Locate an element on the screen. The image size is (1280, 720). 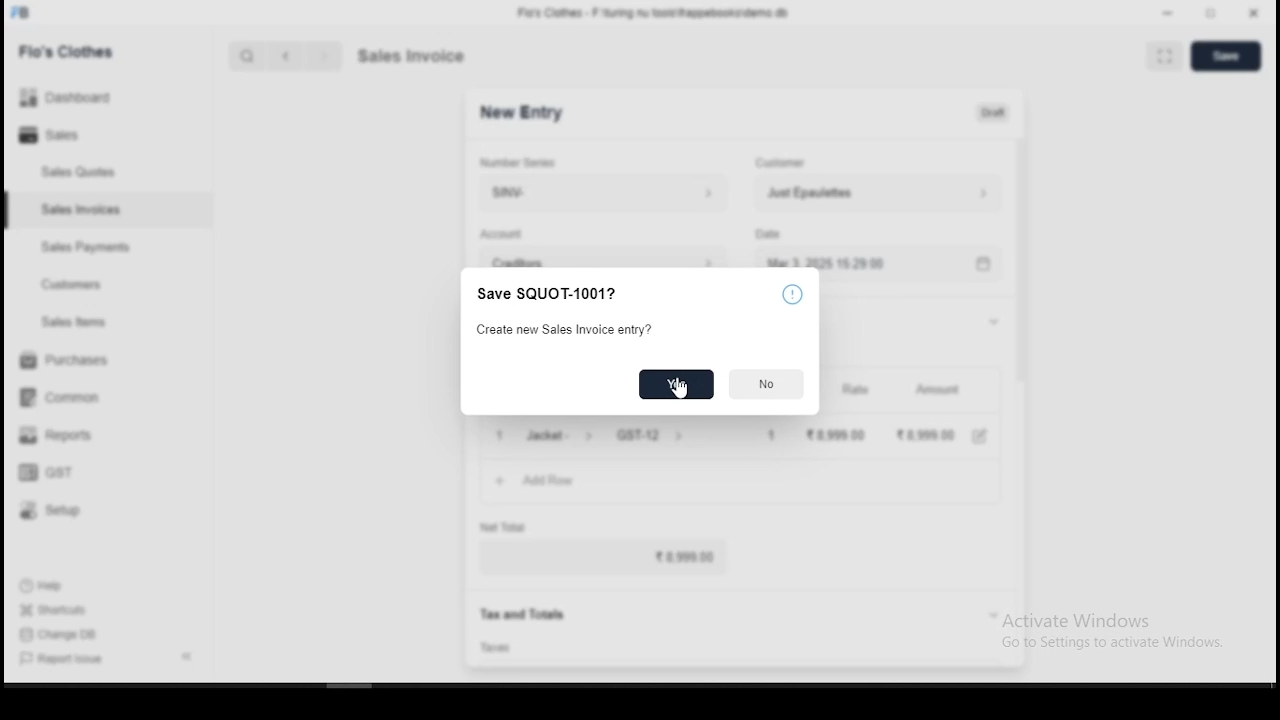
Dashboard is located at coordinates (75, 98).